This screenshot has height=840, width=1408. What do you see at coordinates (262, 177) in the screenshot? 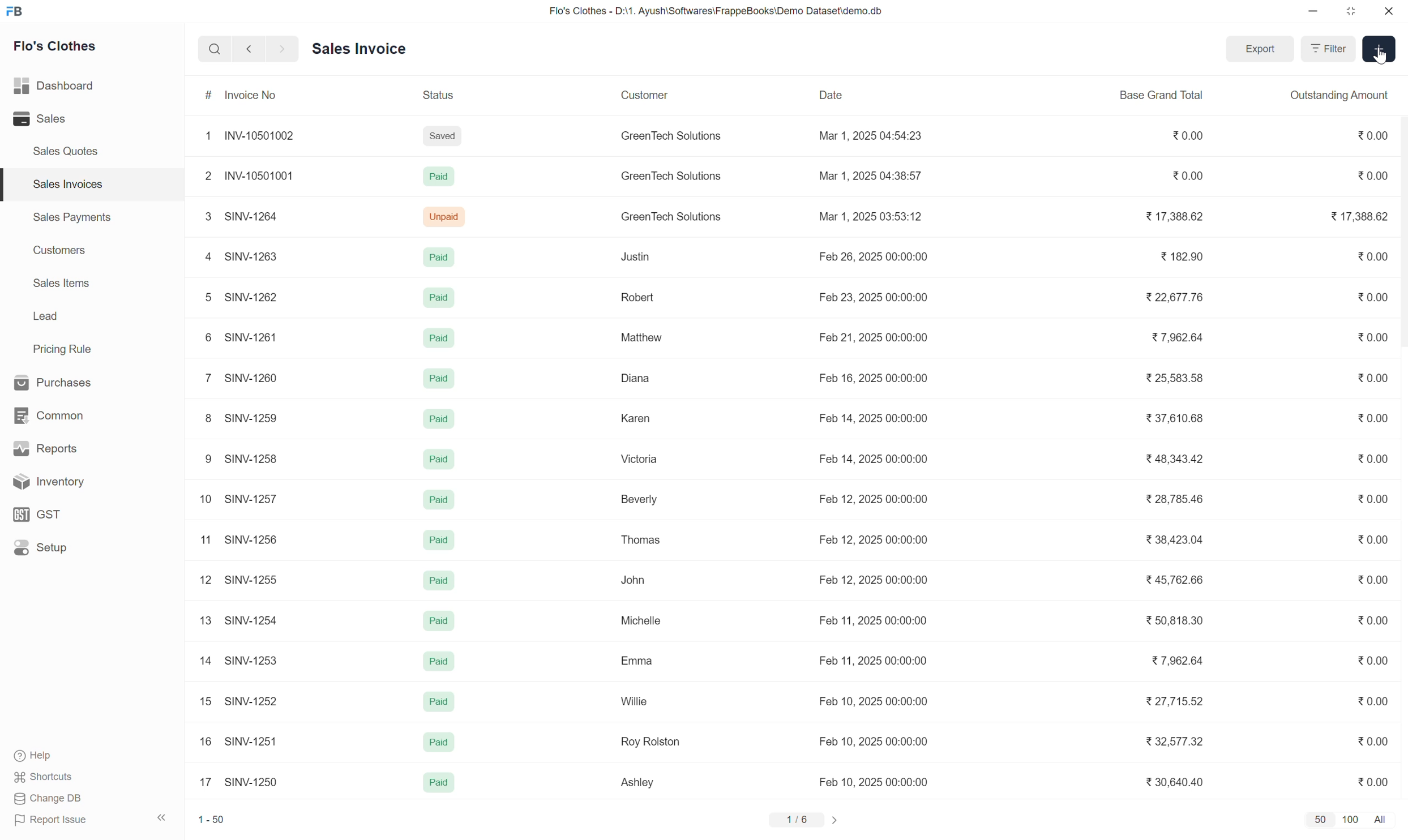
I see `INV-10501001` at bounding box center [262, 177].